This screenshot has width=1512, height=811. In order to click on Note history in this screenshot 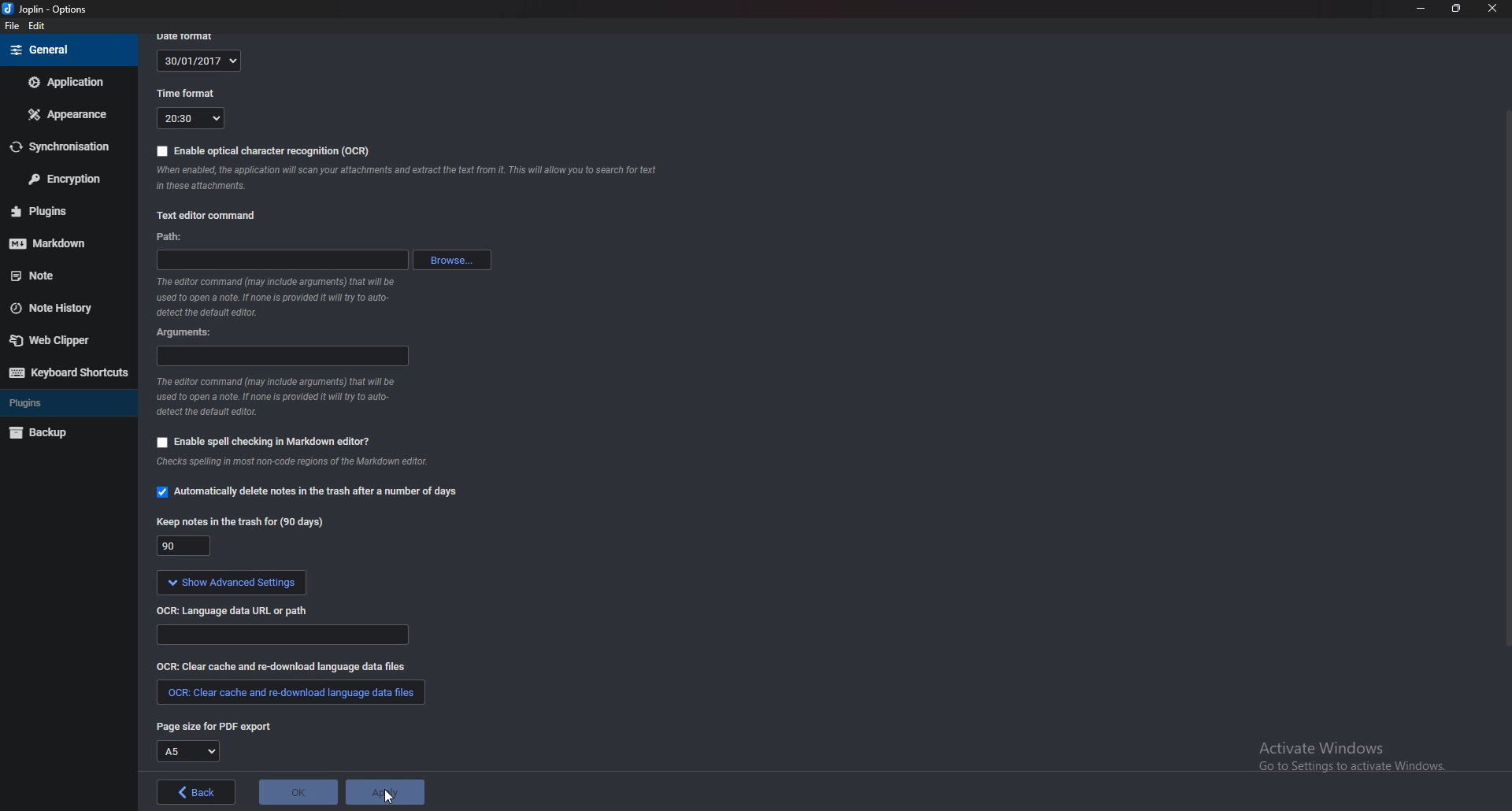, I will do `click(66, 306)`.